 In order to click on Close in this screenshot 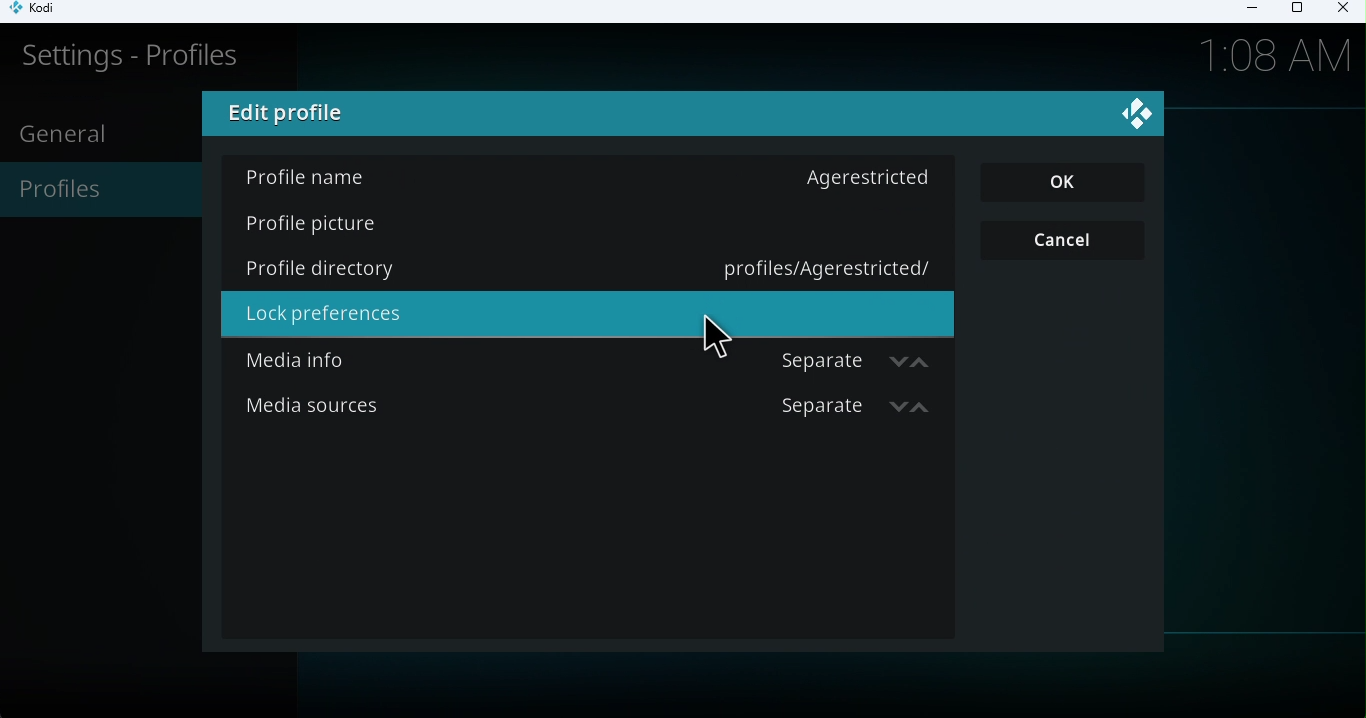, I will do `click(1340, 11)`.